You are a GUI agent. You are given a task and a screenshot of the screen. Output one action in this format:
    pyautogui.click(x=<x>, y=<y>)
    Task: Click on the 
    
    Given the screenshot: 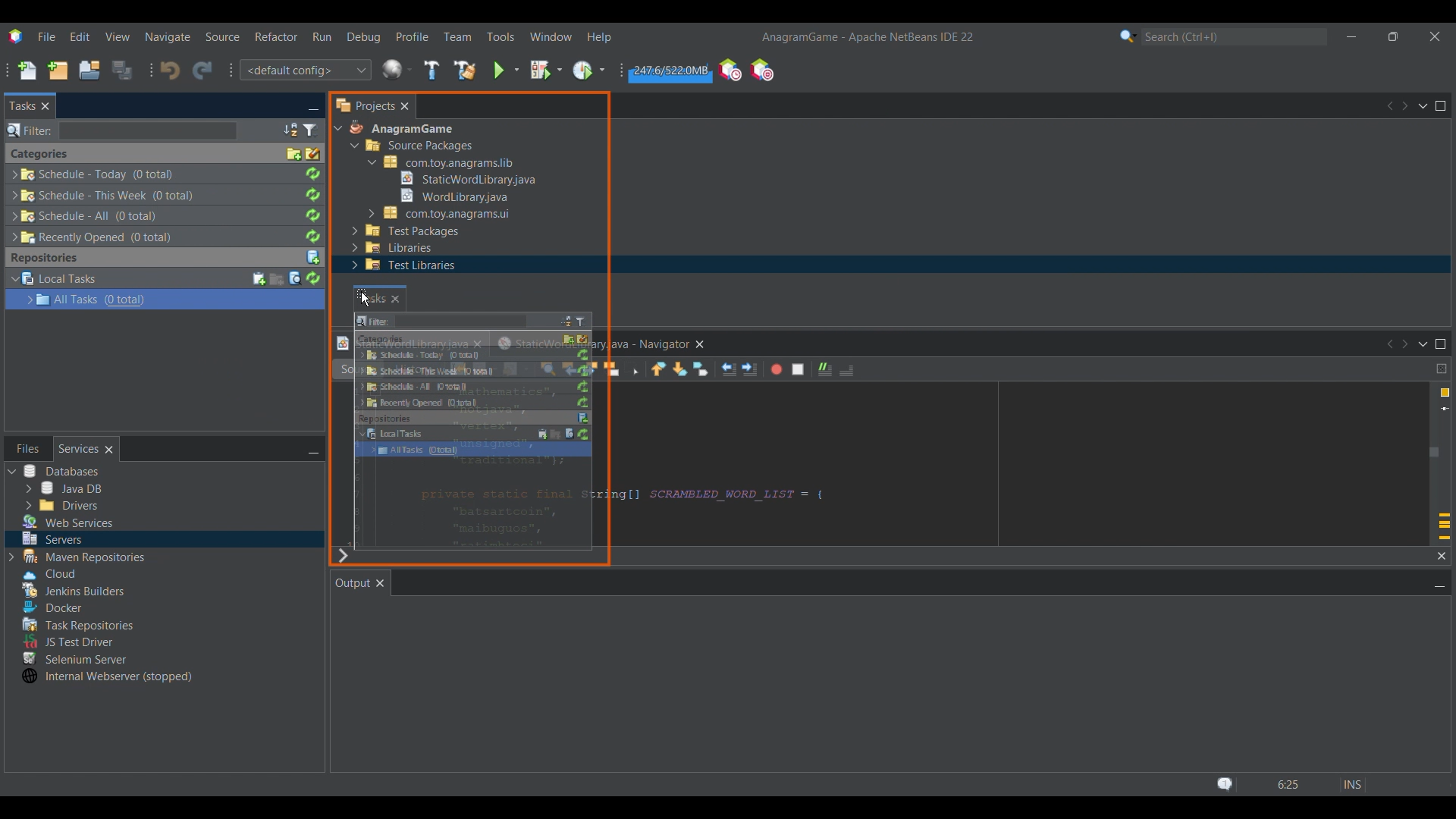 What is the action you would take?
    pyautogui.click(x=616, y=499)
    